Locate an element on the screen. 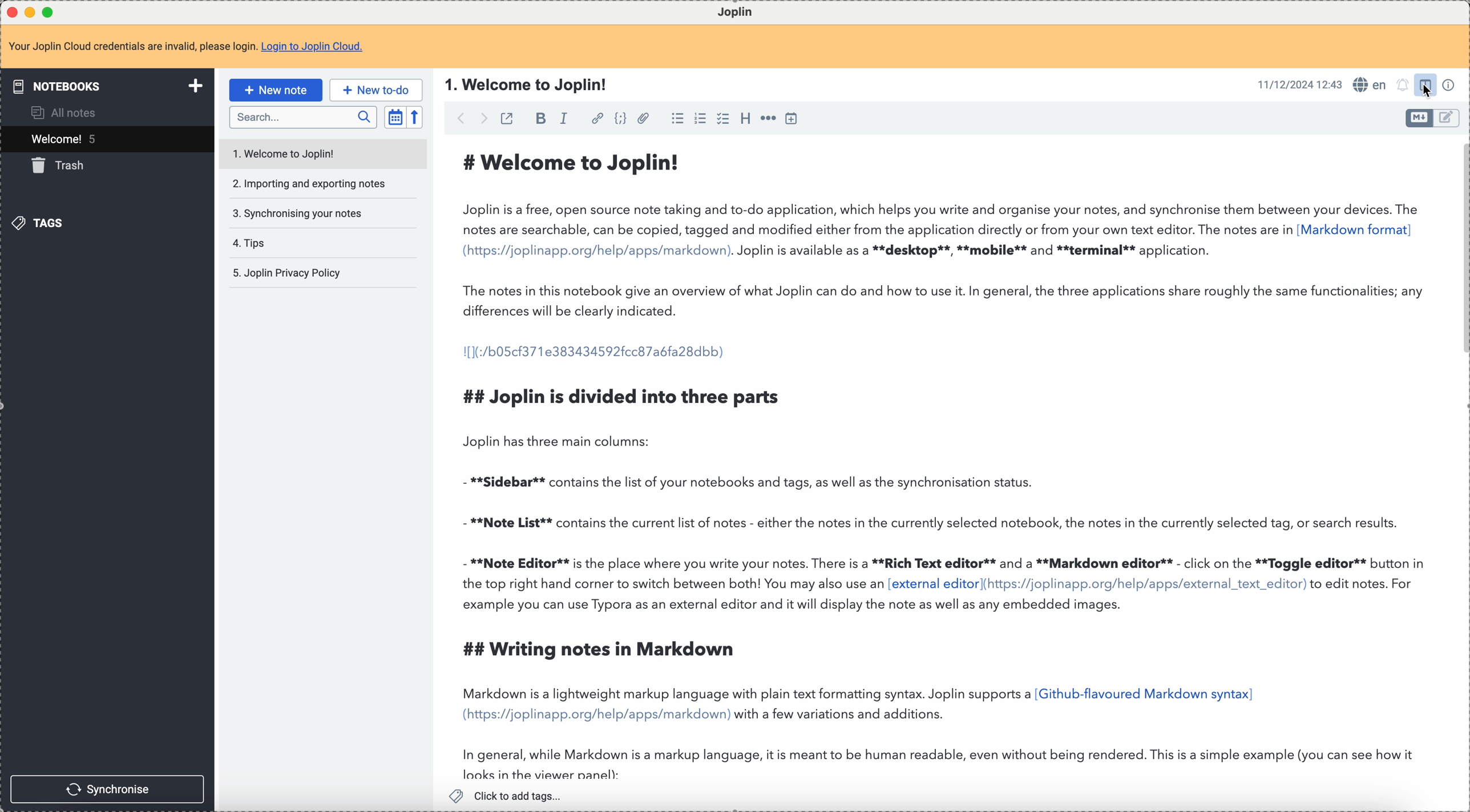 This screenshot has width=1470, height=812. - **Note Editor** is the place where you write your notes. There is a **Rich Text editor** and a **Markdown editor** - click on the **Toggle editor** button in is located at coordinates (947, 563).